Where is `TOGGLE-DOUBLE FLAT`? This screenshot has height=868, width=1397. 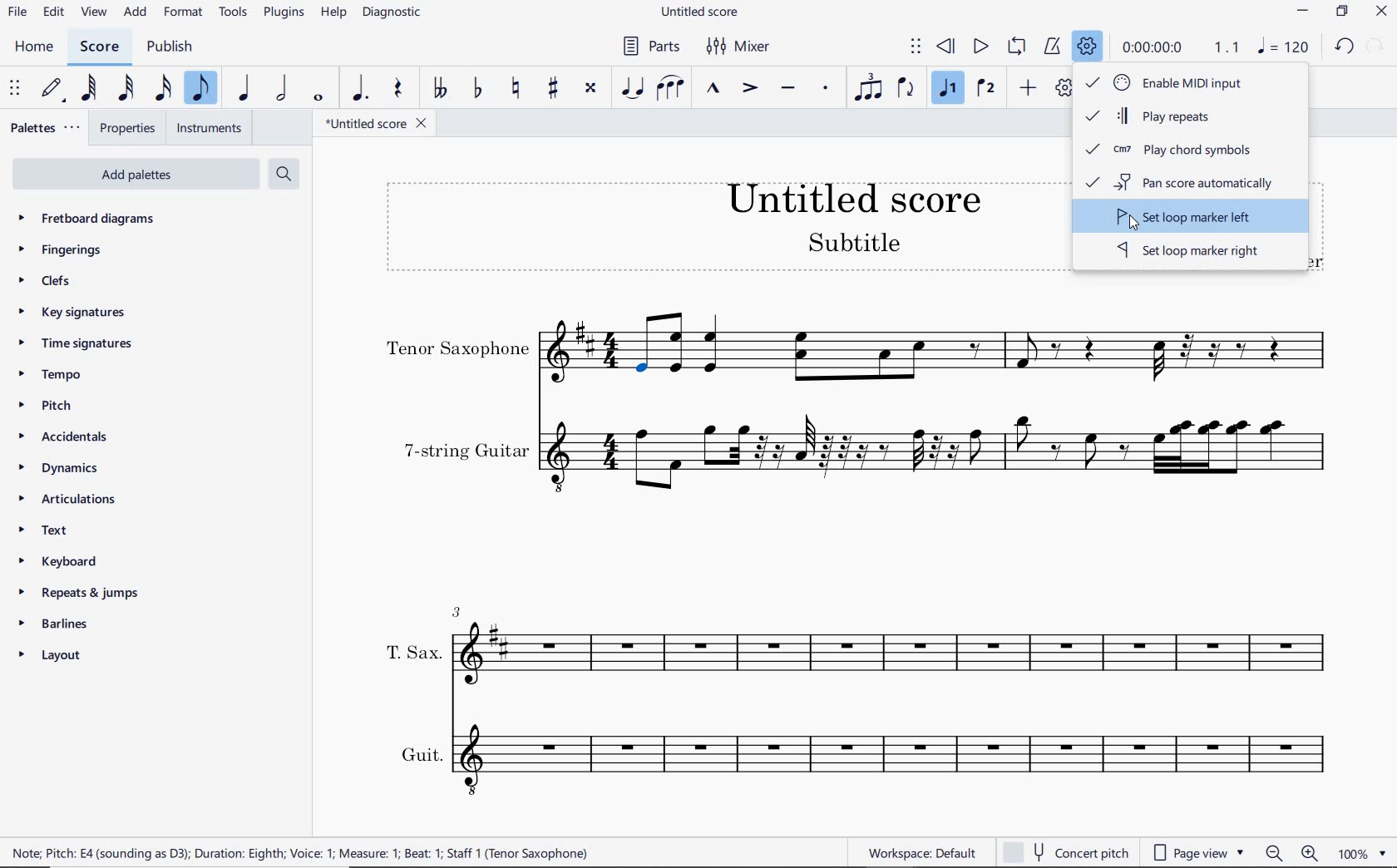
TOGGLE-DOUBLE FLAT is located at coordinates (439, 90).